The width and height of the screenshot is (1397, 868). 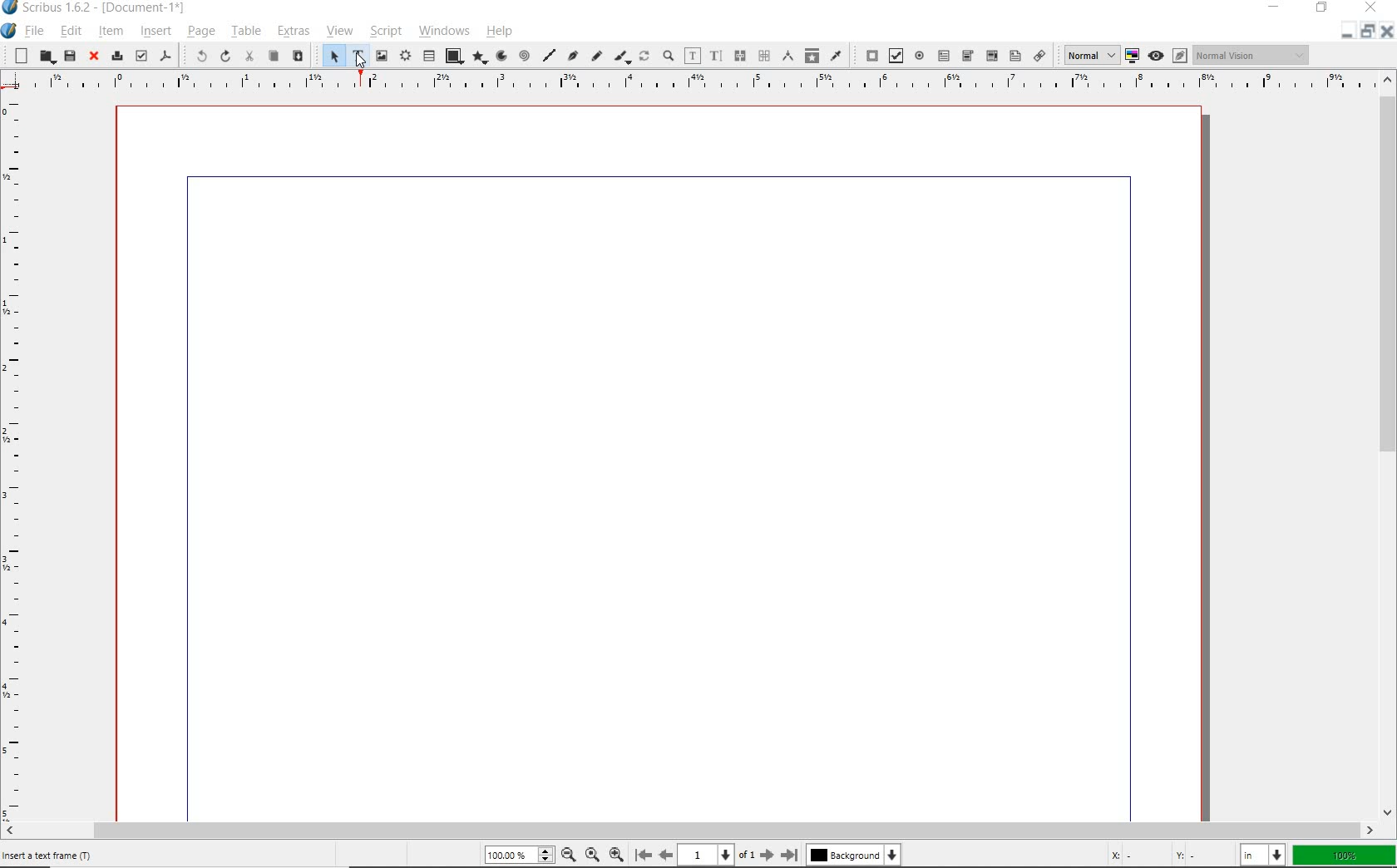 I want to click on page, so click(x=200, y=33).